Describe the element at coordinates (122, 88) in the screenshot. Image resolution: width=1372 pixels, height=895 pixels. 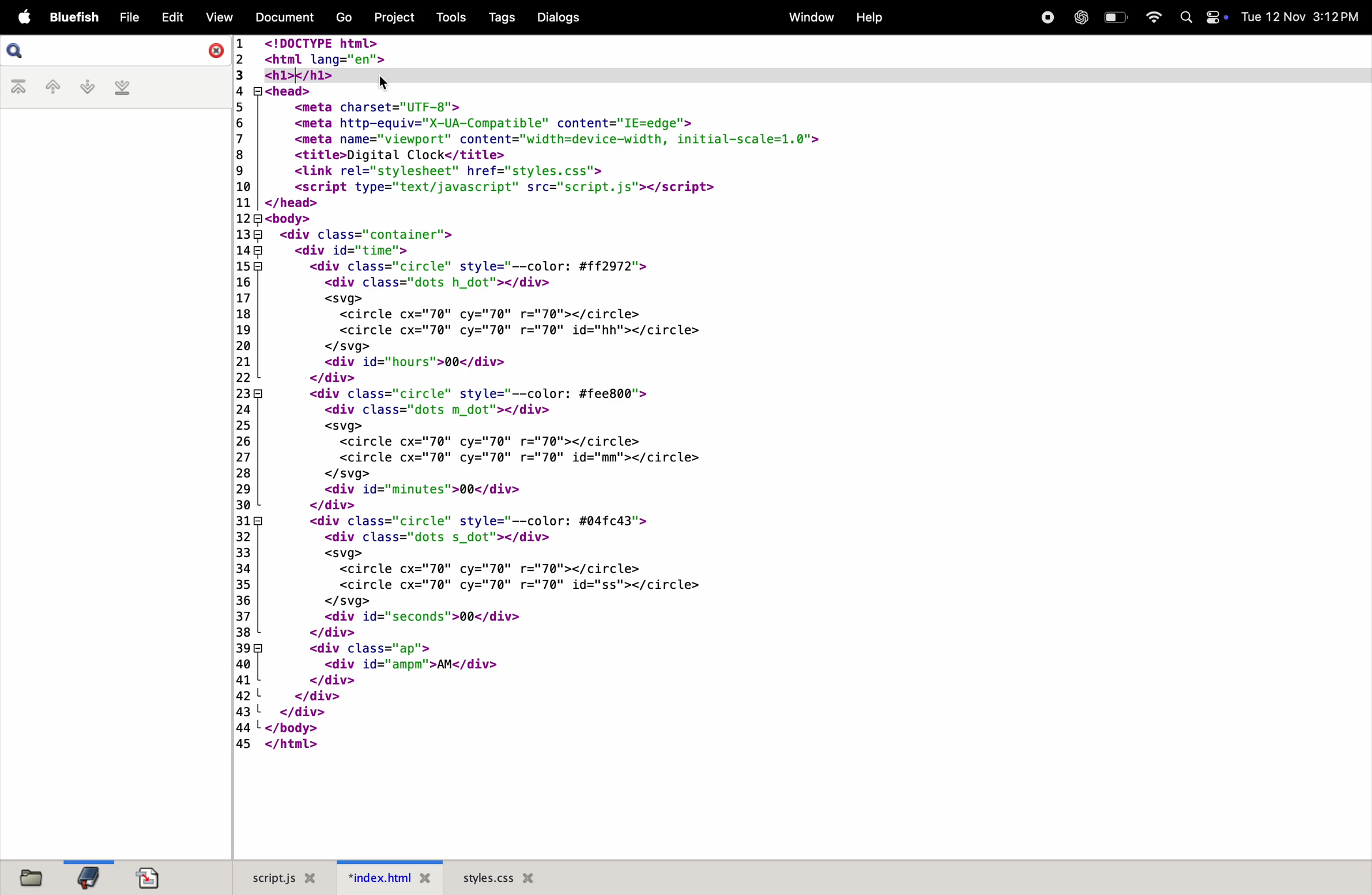
I see `last bookmark` at that location.